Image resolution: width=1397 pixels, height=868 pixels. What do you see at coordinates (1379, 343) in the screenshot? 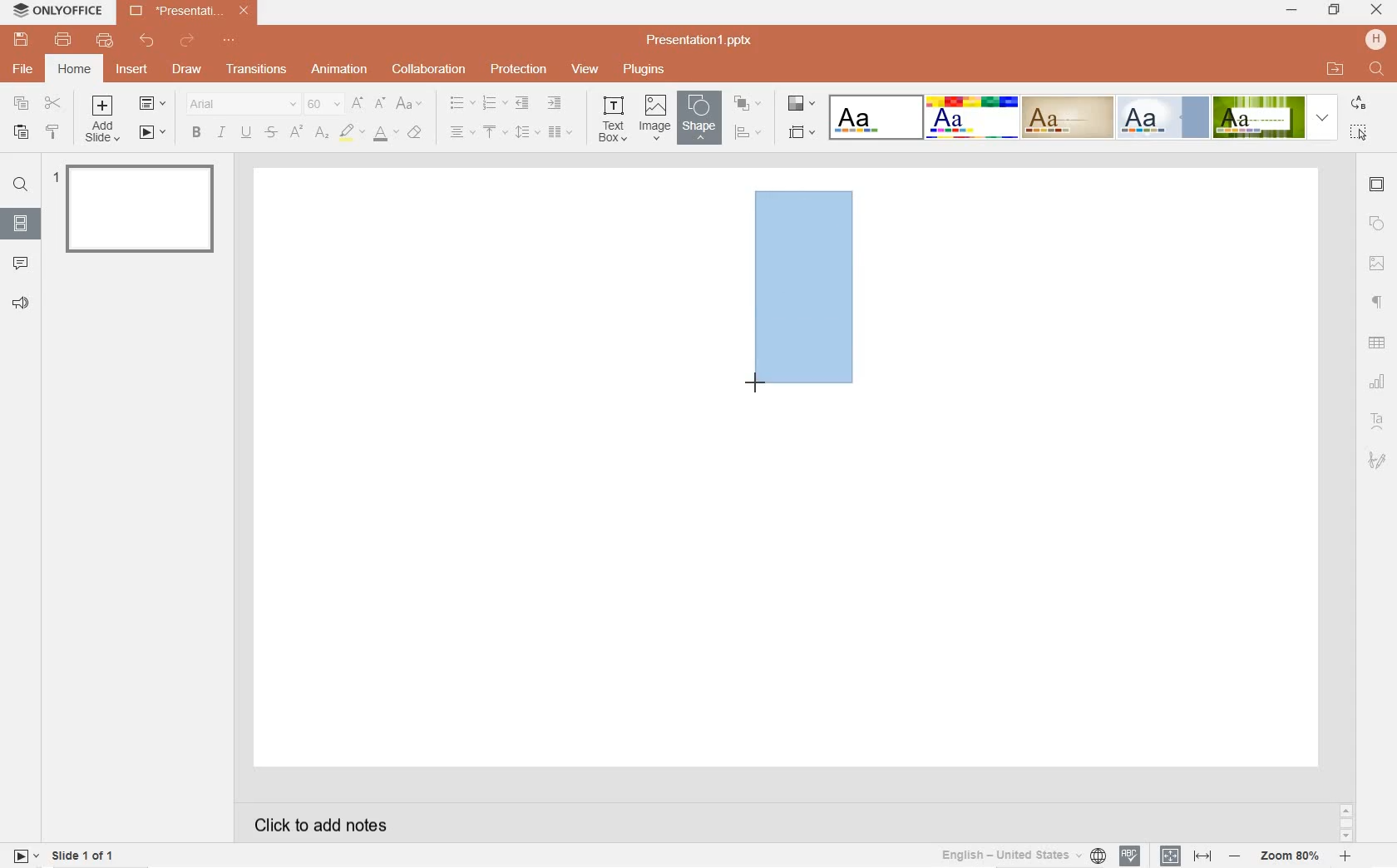
I see `table settings` at bounding box center [1379, 343].